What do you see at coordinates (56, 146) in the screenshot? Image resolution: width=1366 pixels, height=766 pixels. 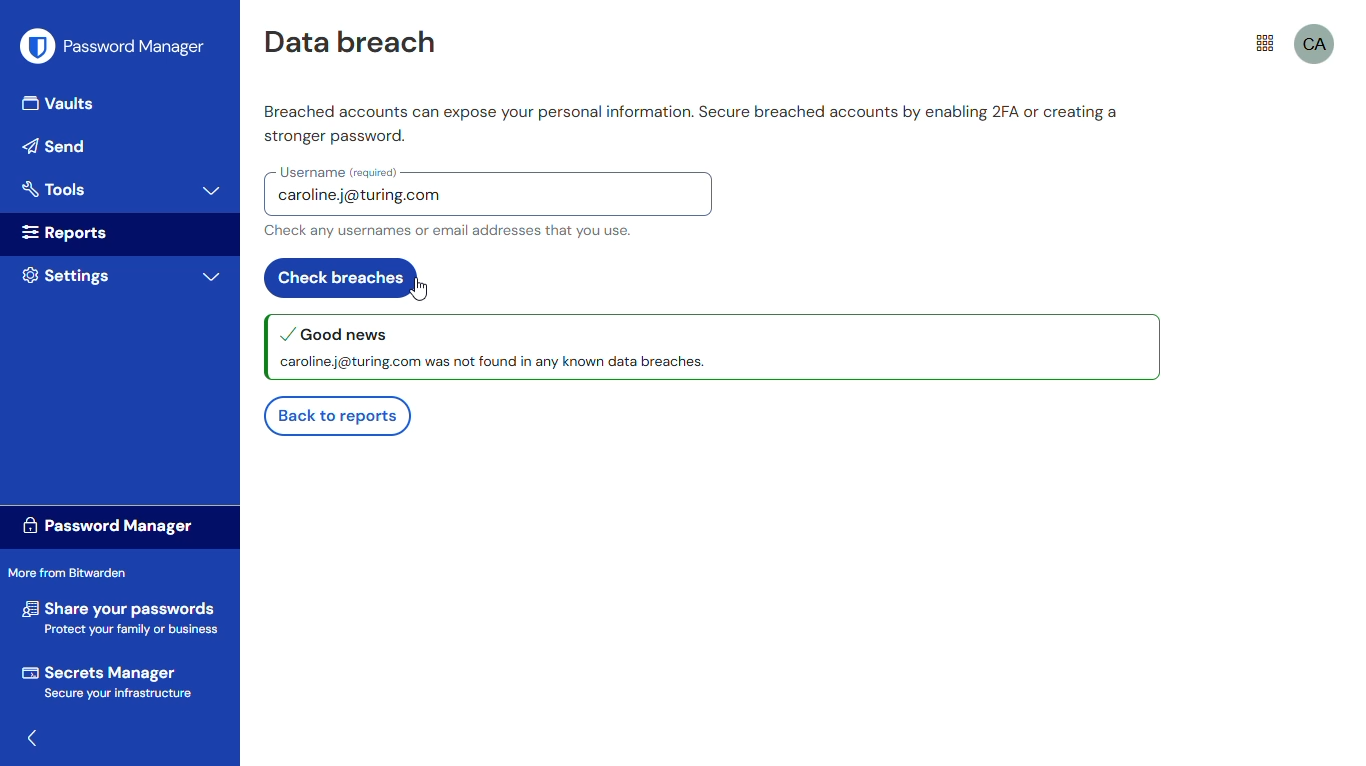 I see `send` at bounding box center [56, 146].